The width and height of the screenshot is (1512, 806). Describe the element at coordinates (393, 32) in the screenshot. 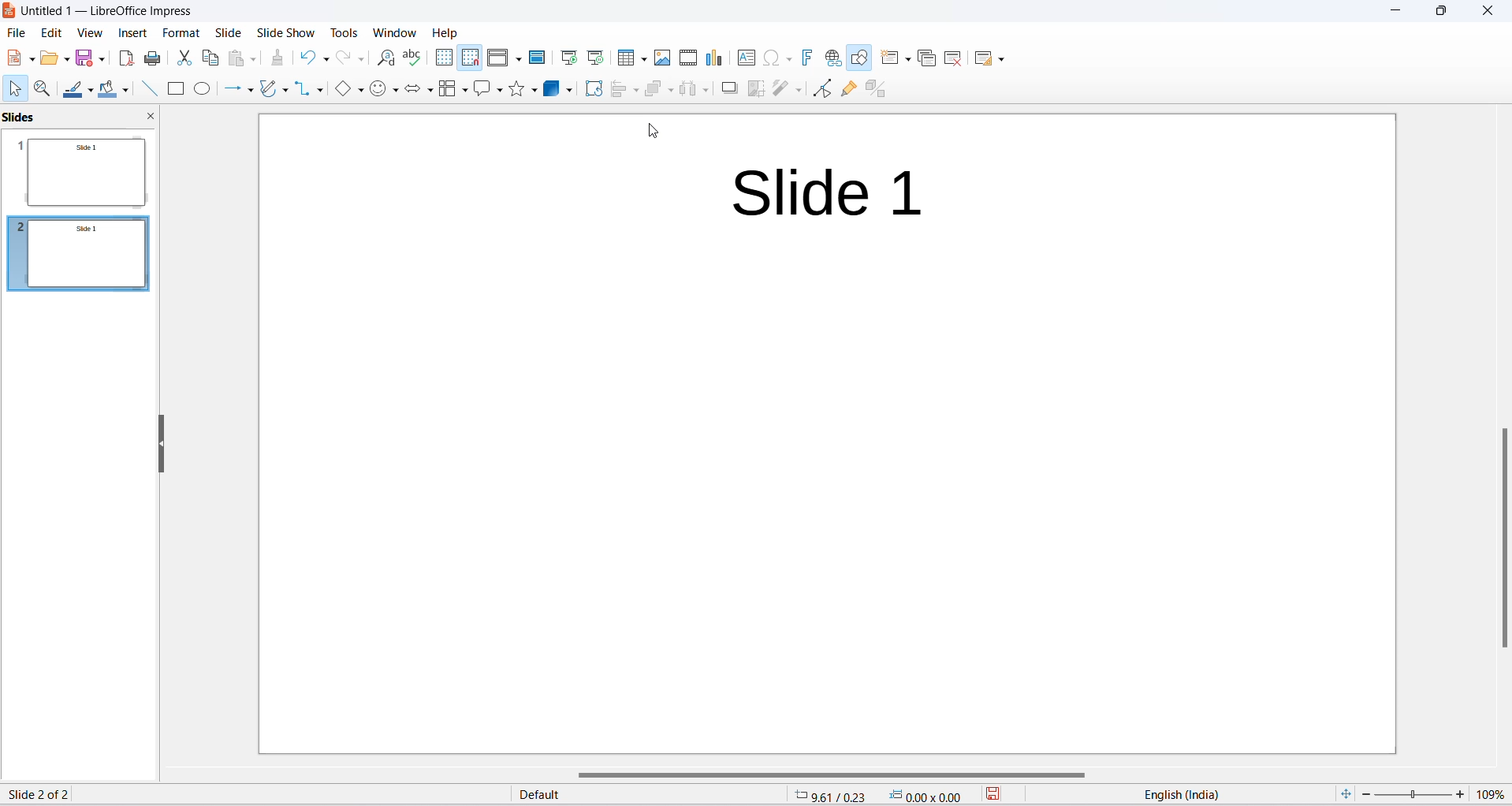

I see `window` at that location.